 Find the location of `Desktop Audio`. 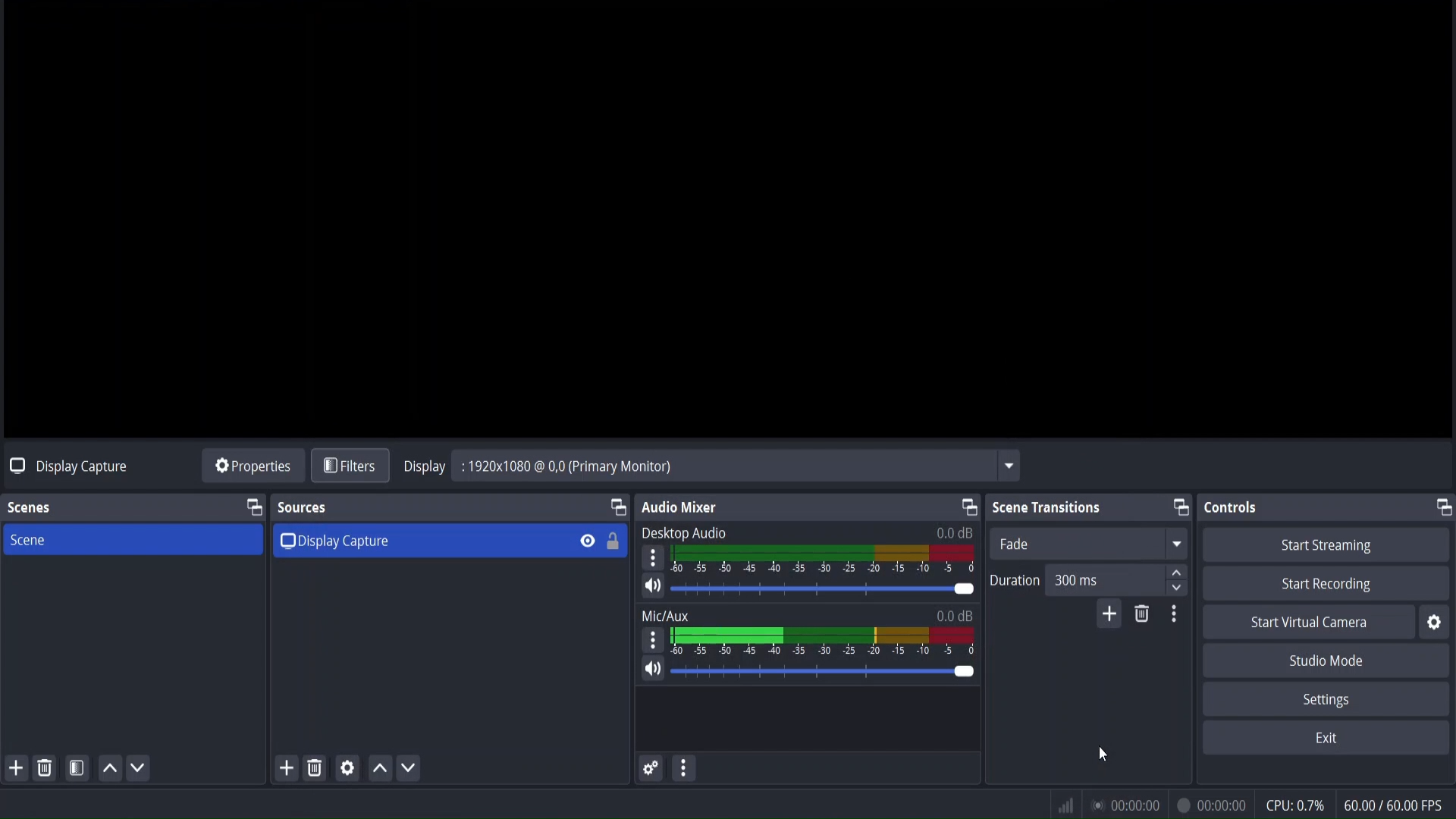

Desktop Audio is located at coordinates (686, 532).